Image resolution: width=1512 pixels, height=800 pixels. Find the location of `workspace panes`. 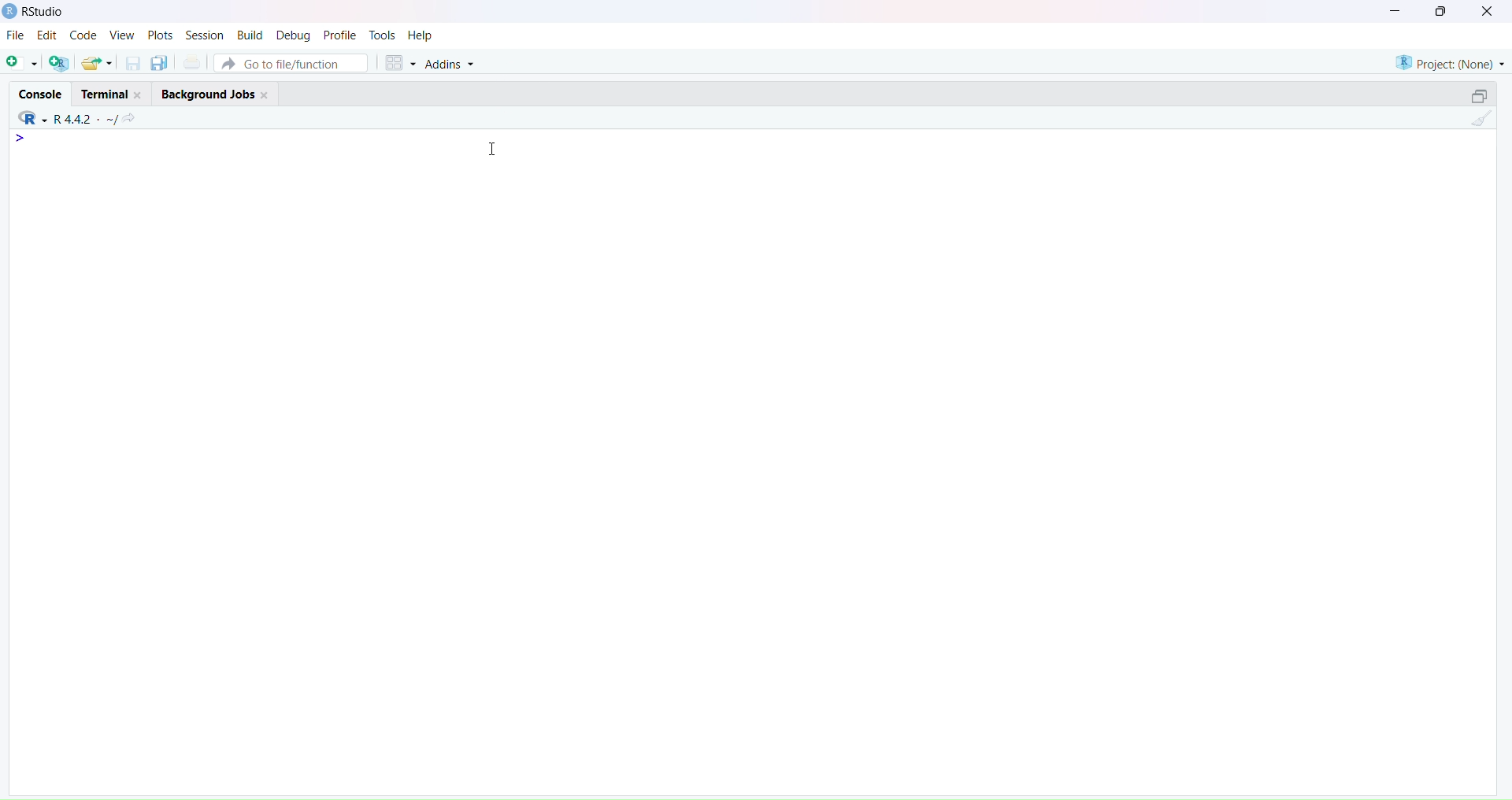

workspace panes is located at coordinates (398, 64).